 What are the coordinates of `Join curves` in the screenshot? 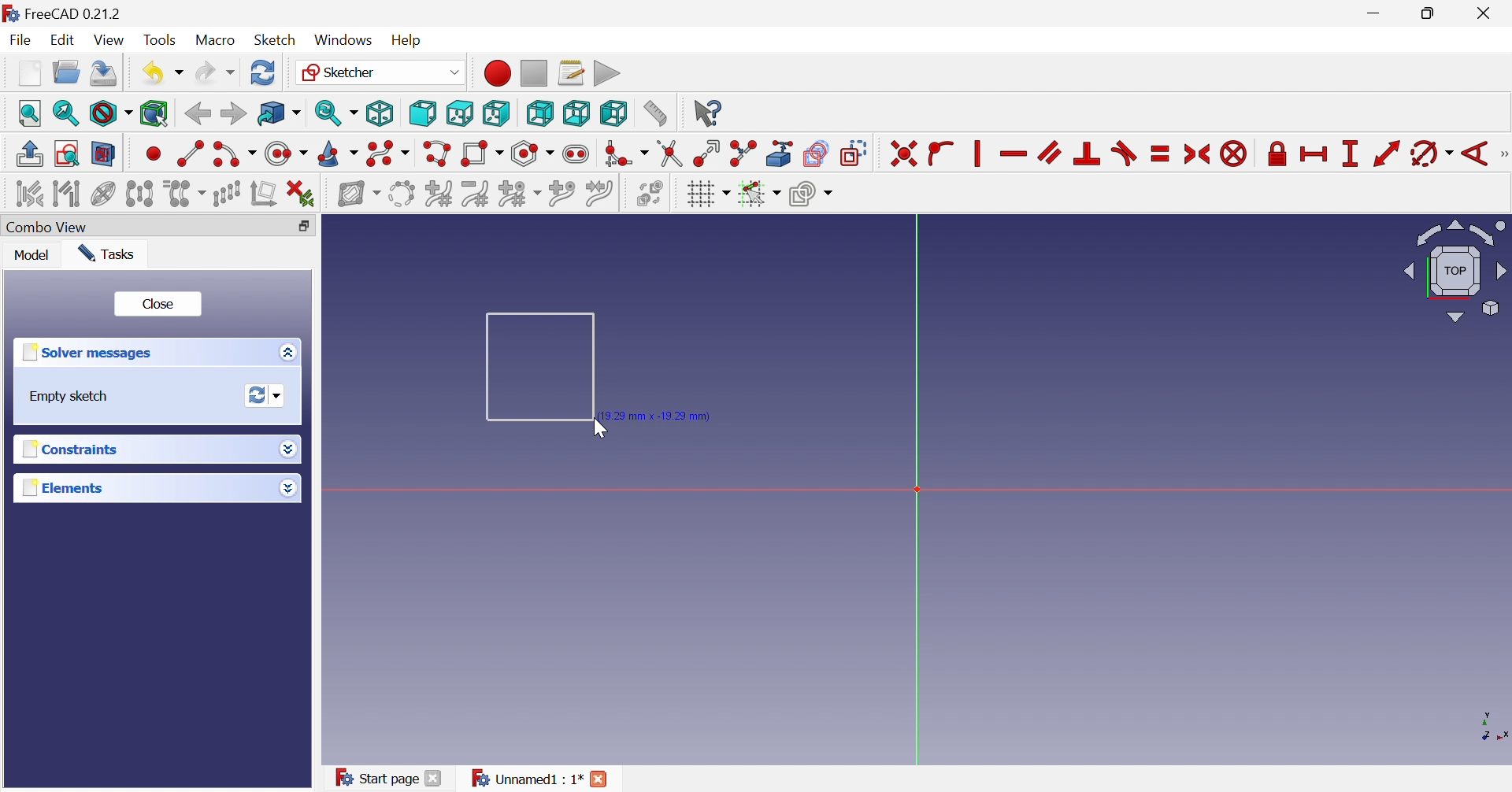 It's located at (599, 194).